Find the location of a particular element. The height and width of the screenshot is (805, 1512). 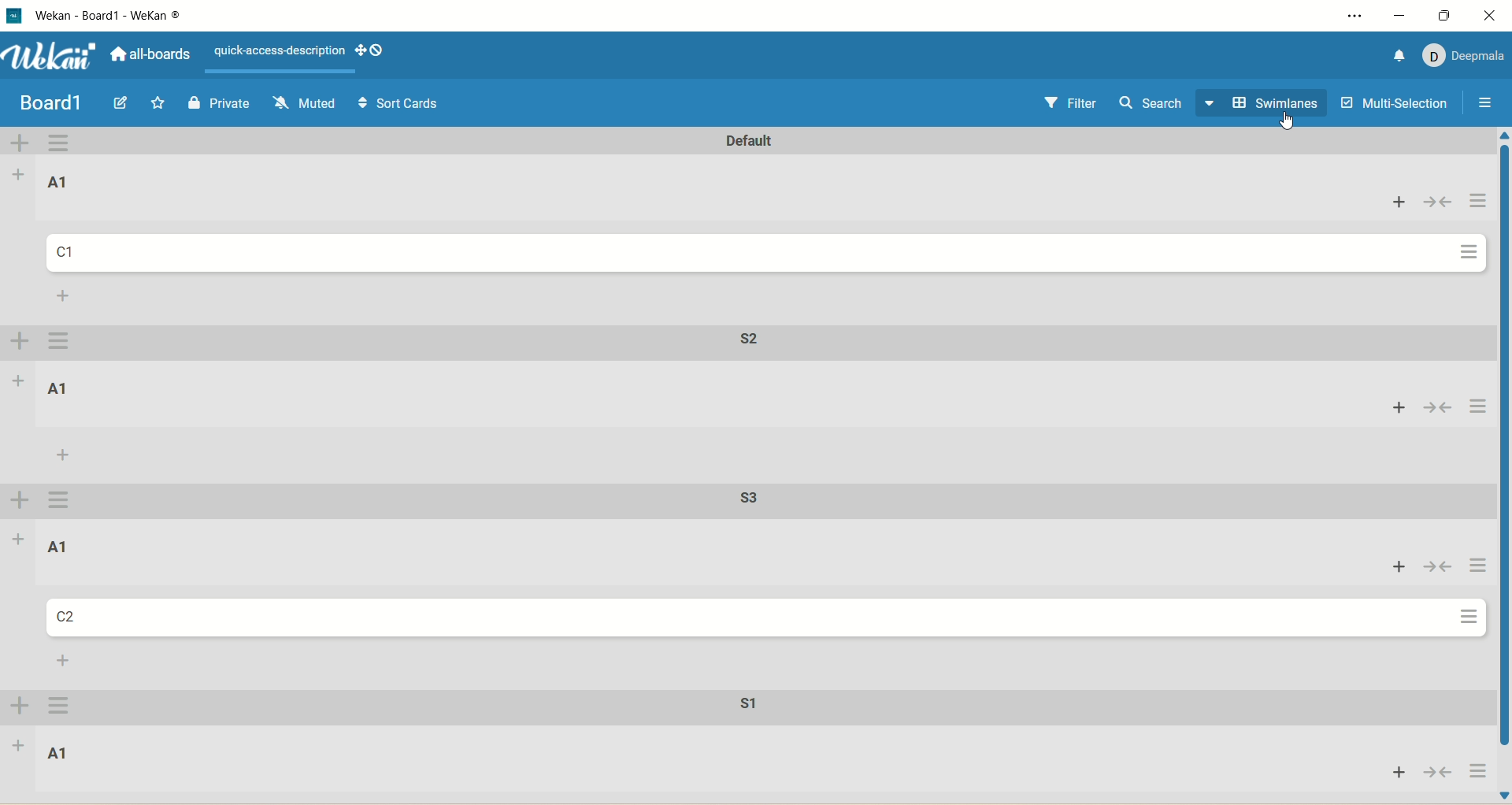

collapse is located at coordinates (1441, 406).